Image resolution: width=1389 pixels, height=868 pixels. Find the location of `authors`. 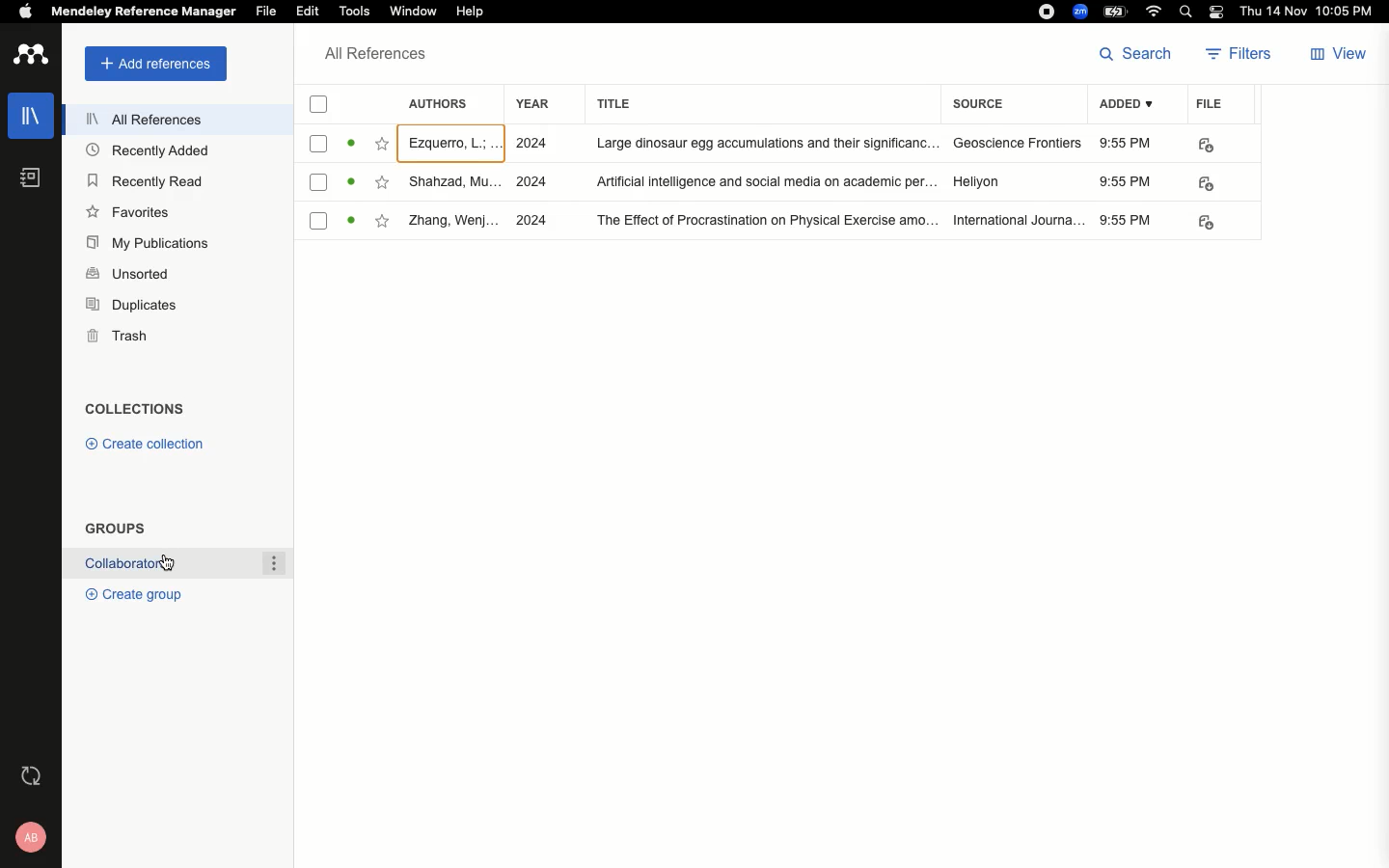

authors is located at coordinates (455, 179).